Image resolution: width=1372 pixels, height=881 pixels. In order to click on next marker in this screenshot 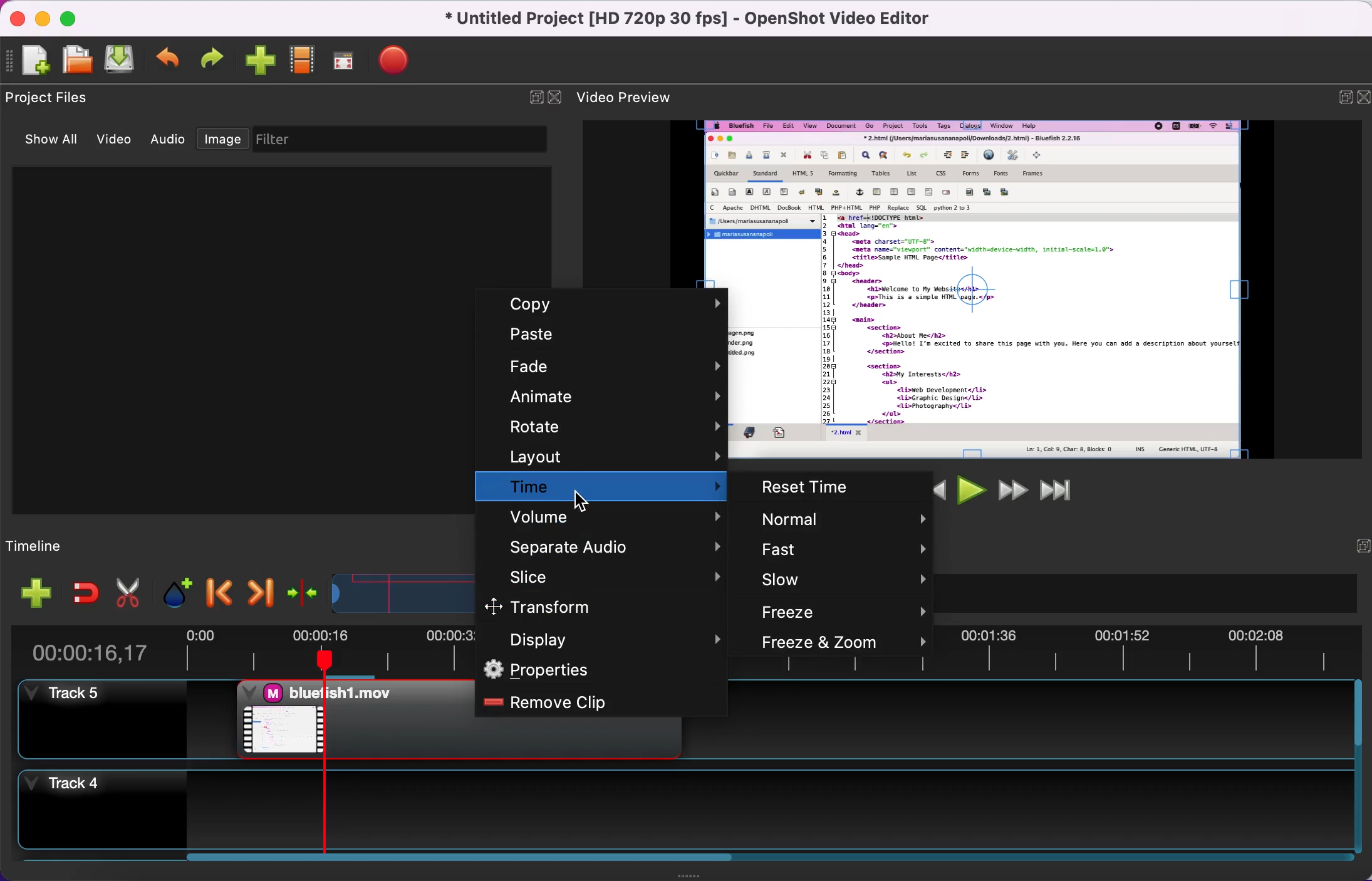, I will do `click(256, 590)`.